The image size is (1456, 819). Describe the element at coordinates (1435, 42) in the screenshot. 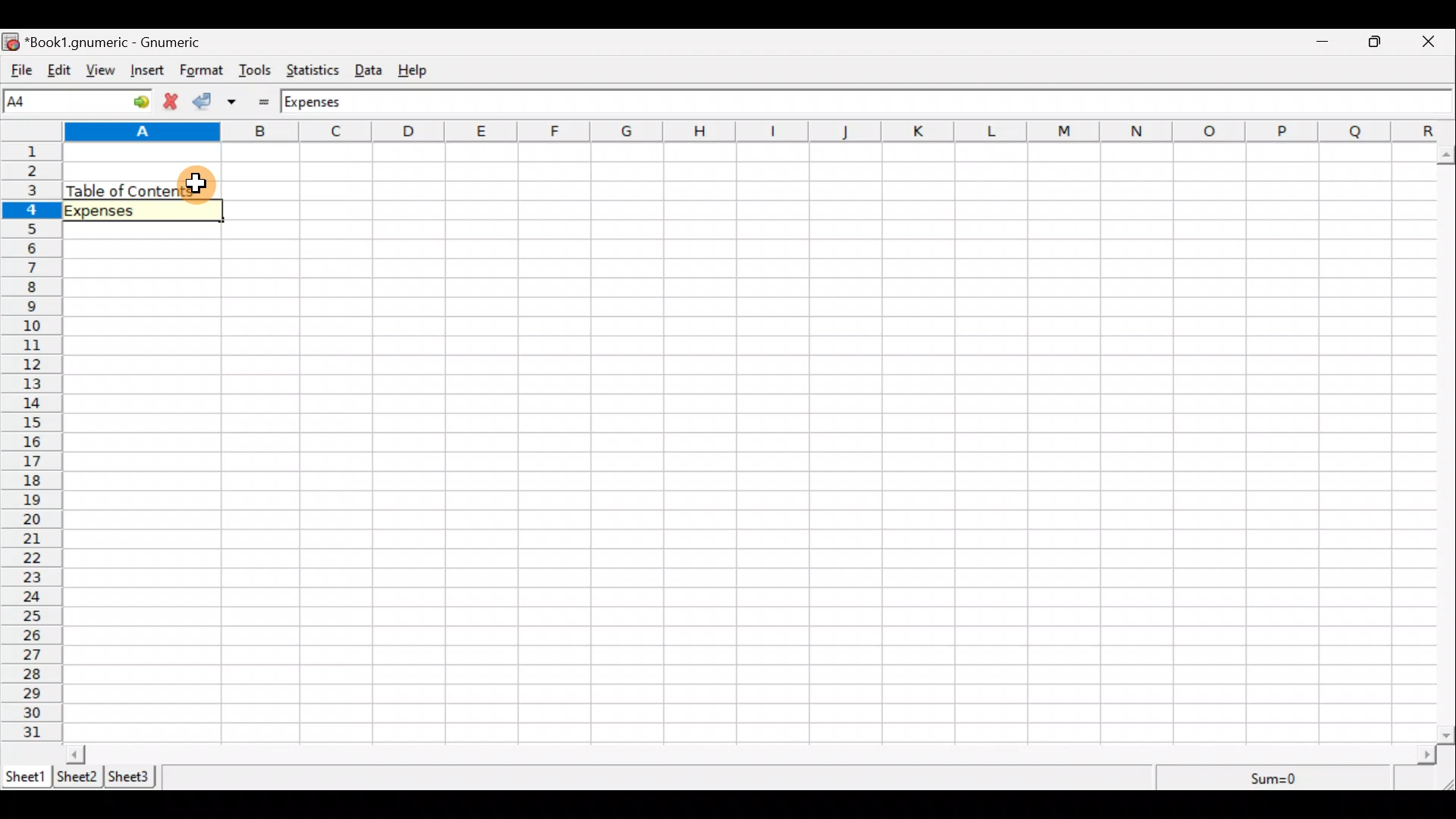

I see `Close` at that location.